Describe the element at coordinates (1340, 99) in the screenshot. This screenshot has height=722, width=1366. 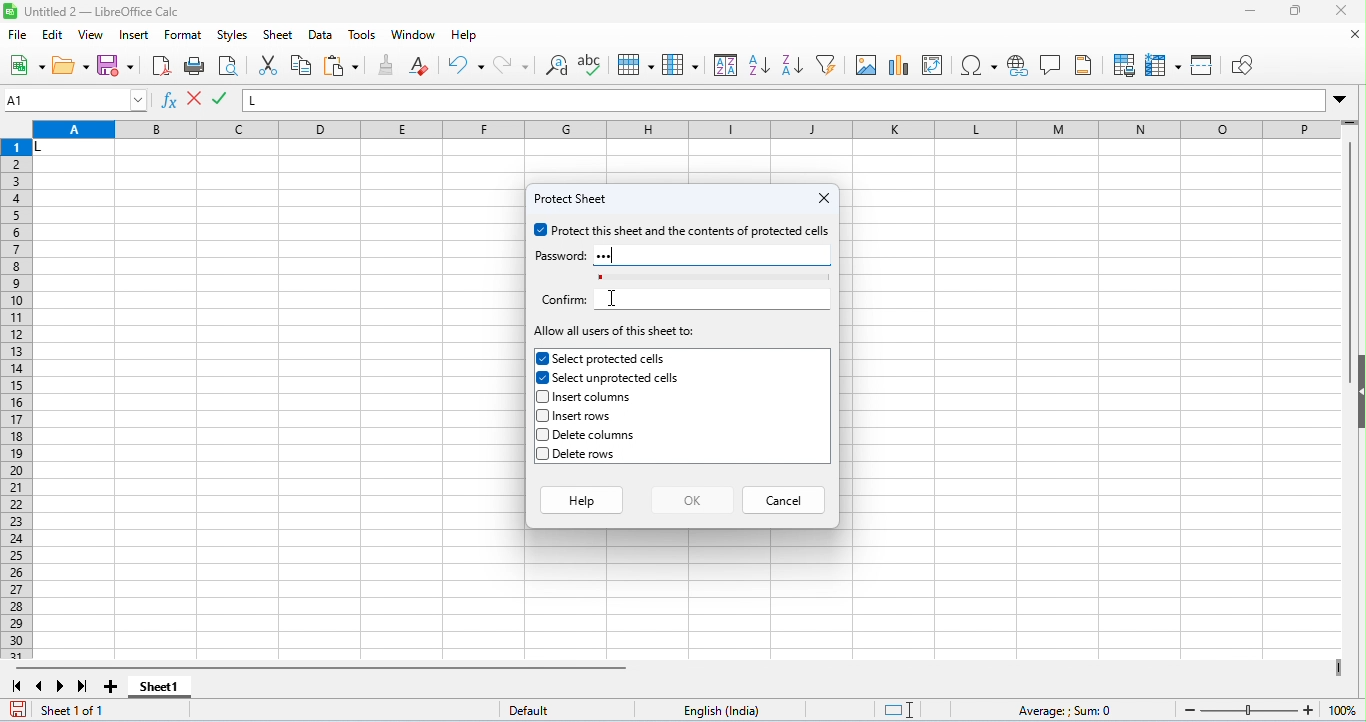
I see `drop down` at that location.